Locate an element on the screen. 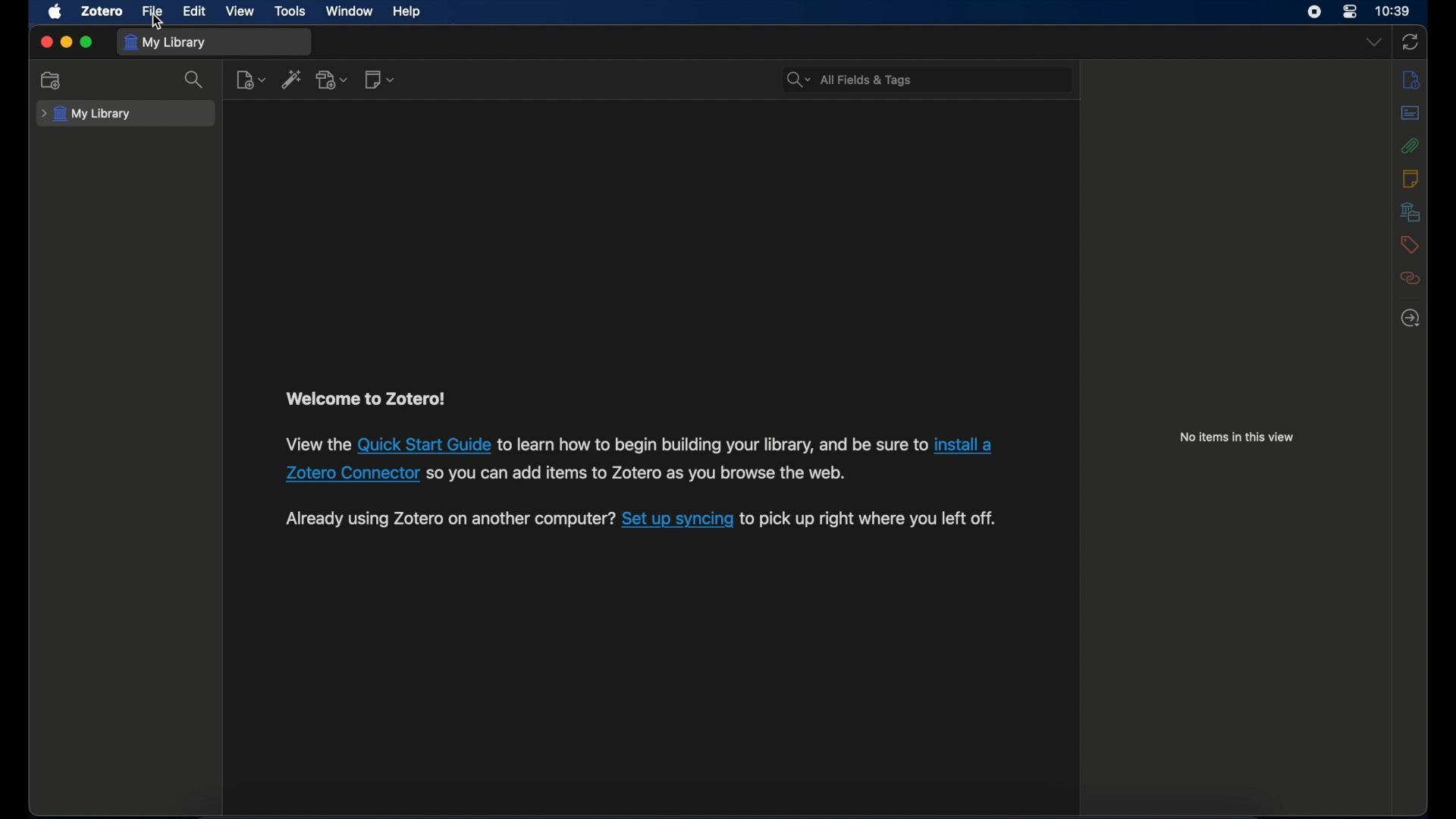  edit is located at coordinates (196, 11).